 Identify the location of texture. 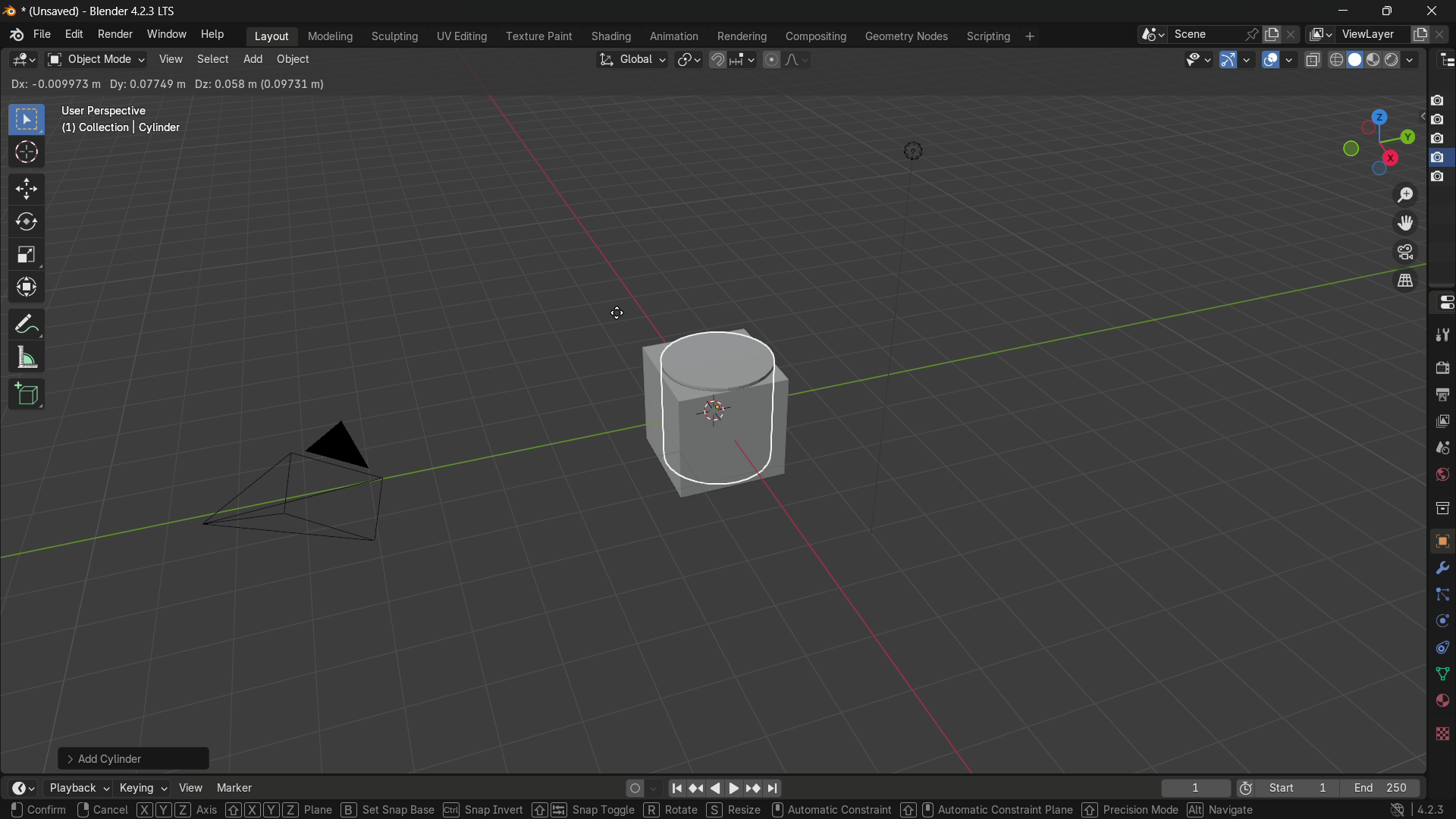
(1441, 541).